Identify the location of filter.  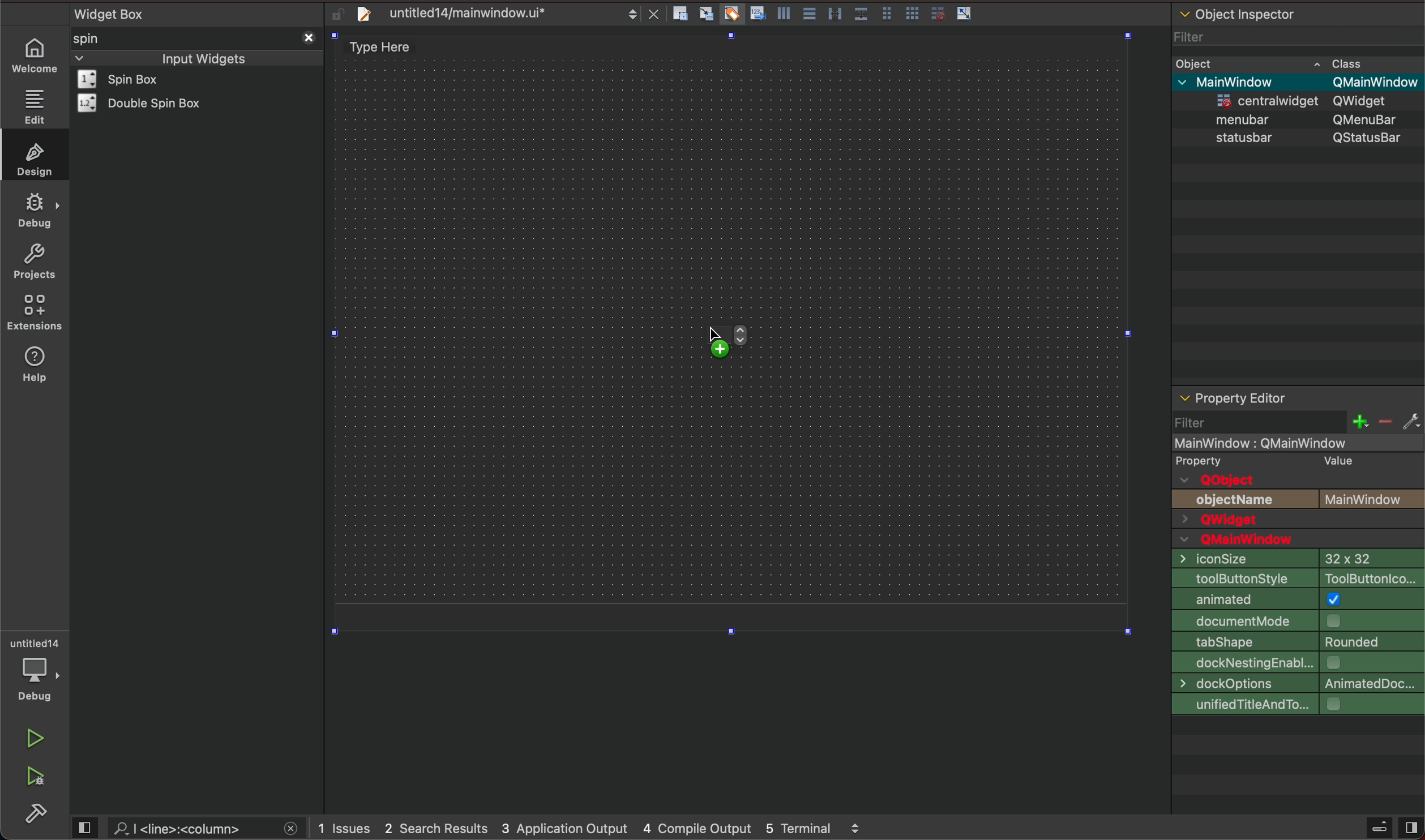
(1299, 422).